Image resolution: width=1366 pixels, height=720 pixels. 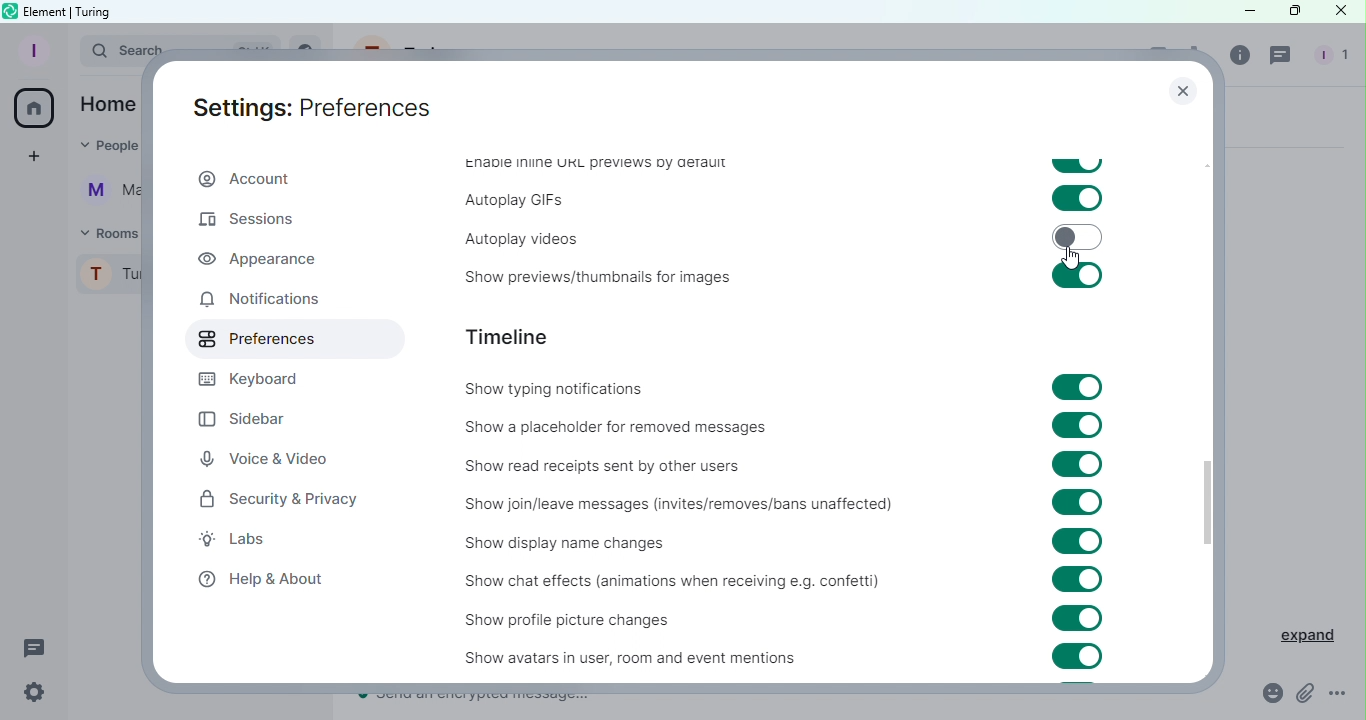 I want to click on Sessions, so click(x=257, y=224).